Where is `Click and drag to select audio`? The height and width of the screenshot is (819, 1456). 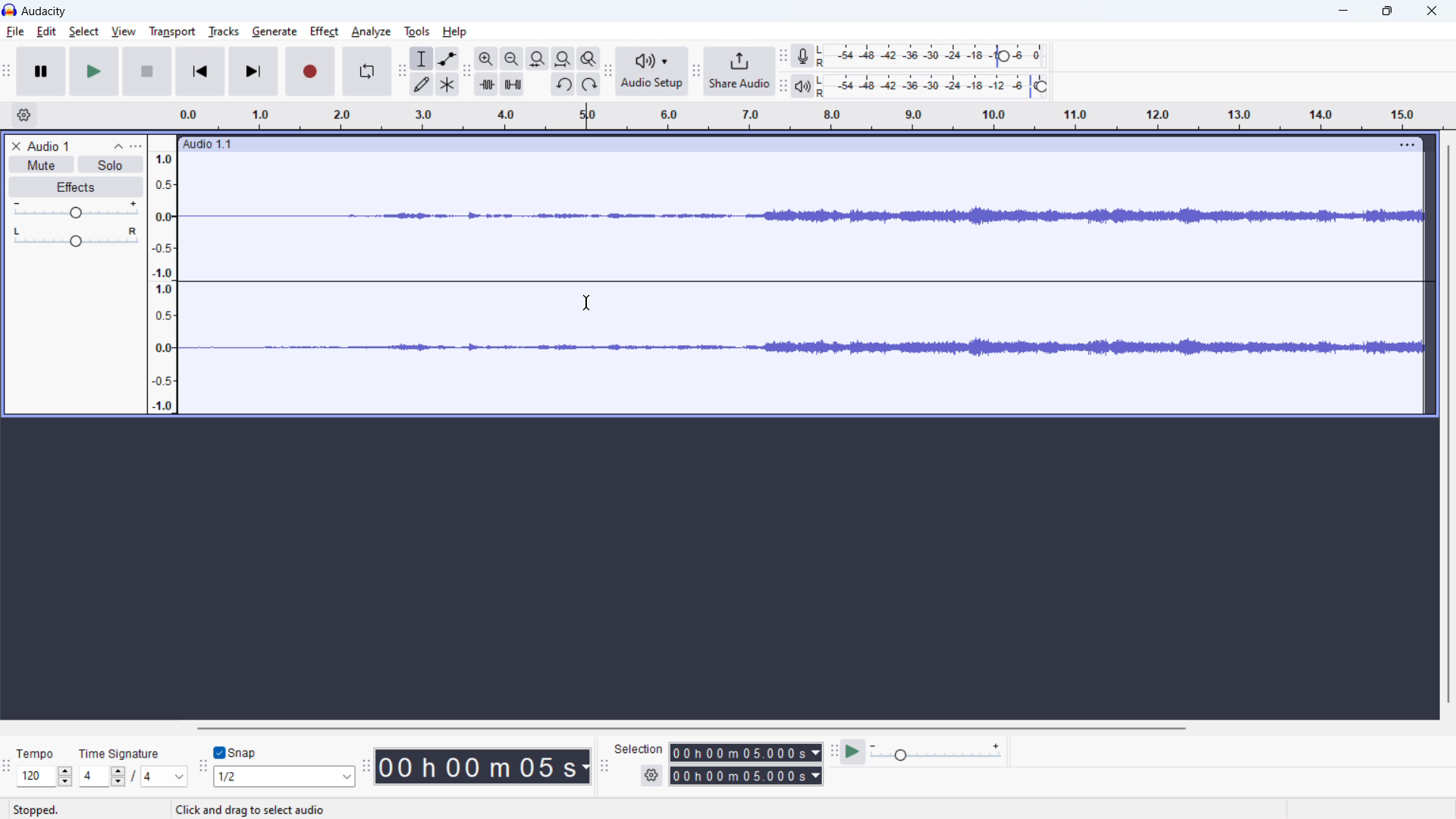 Click and drag to select audio is located at coordinates (253, 809).